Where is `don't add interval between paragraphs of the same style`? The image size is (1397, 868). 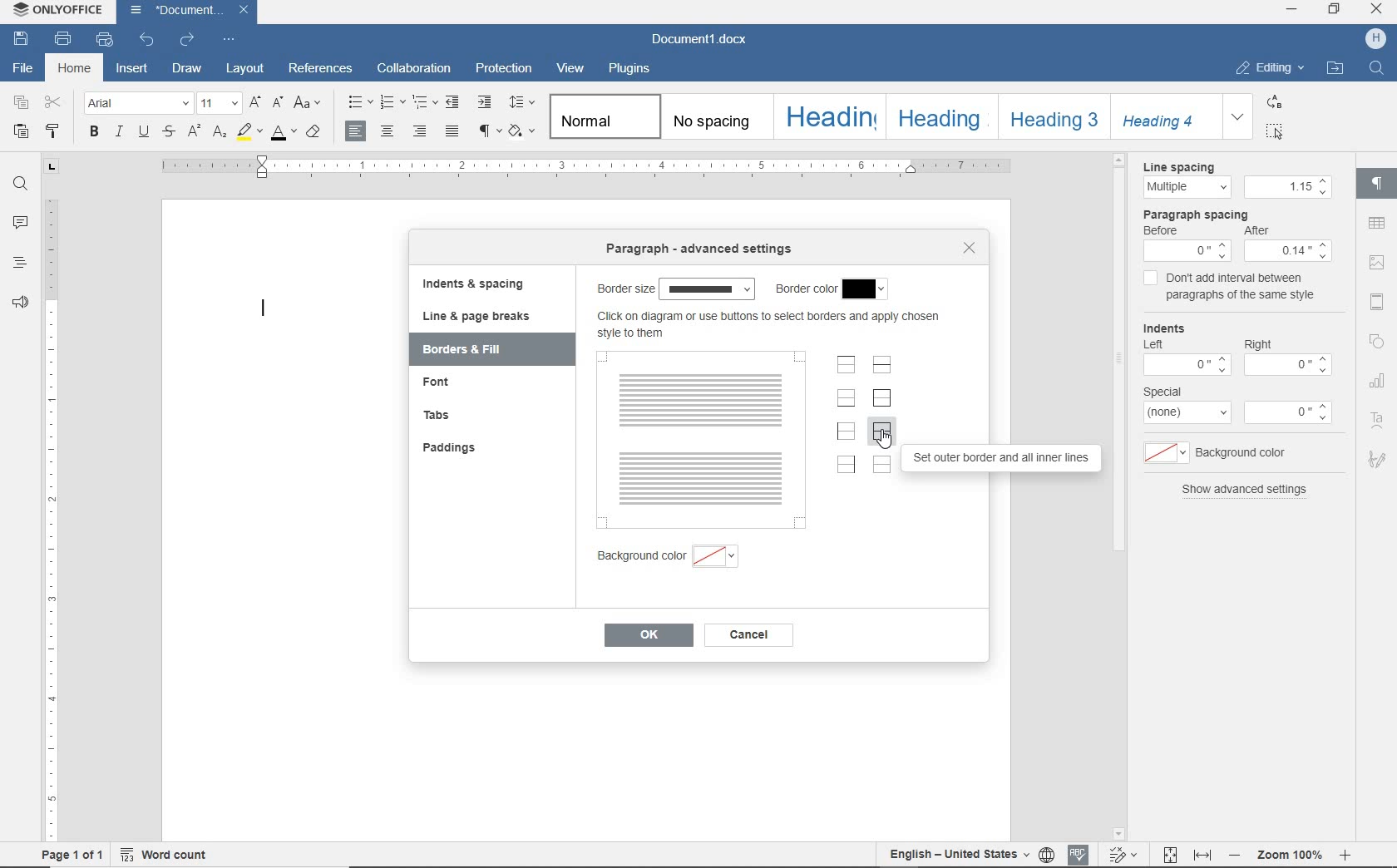 don't add interval between paragraphs of the same style is located at coordinates (1230, 289).